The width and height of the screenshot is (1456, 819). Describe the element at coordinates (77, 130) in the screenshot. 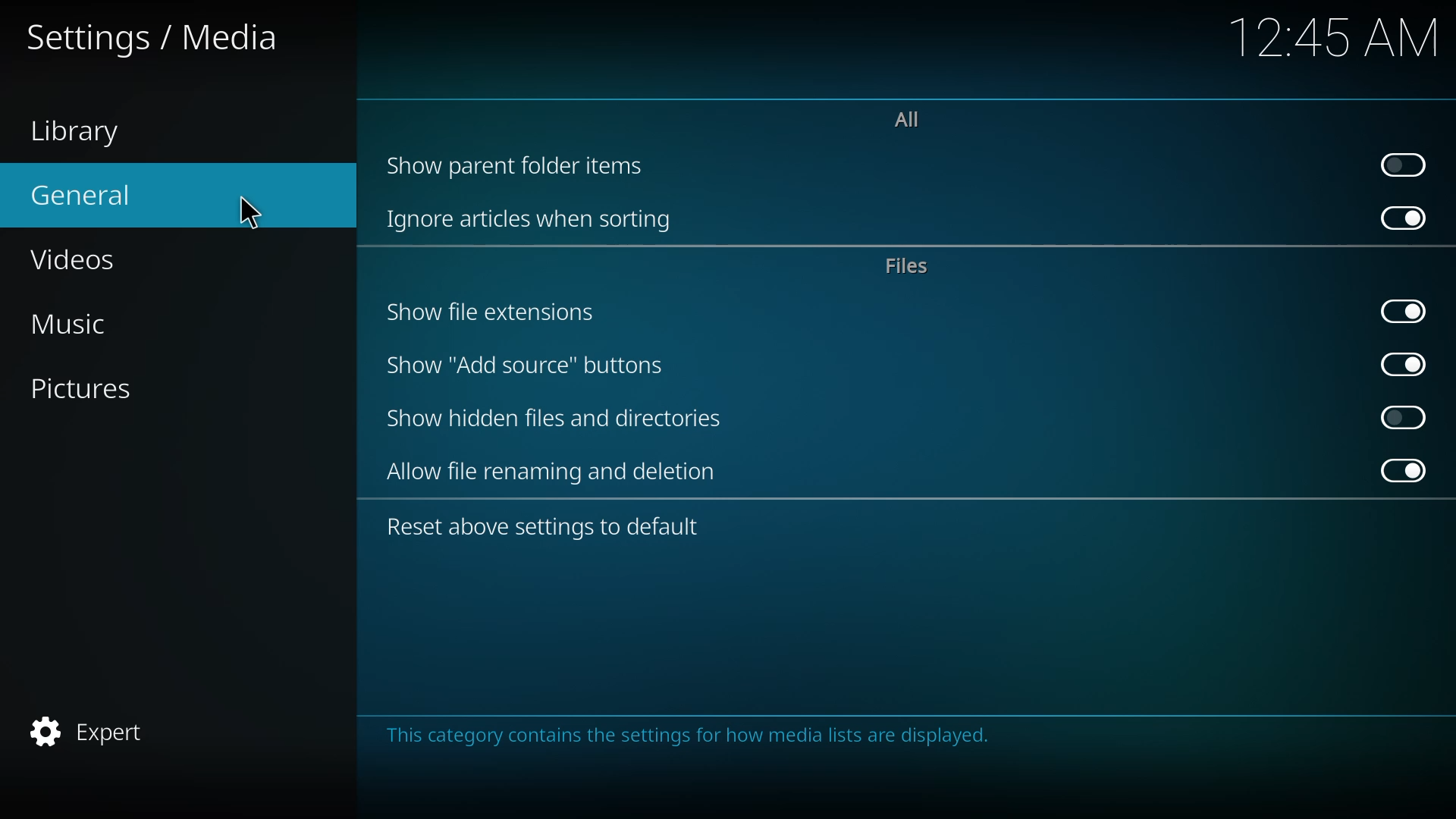

I see `library` at that location.